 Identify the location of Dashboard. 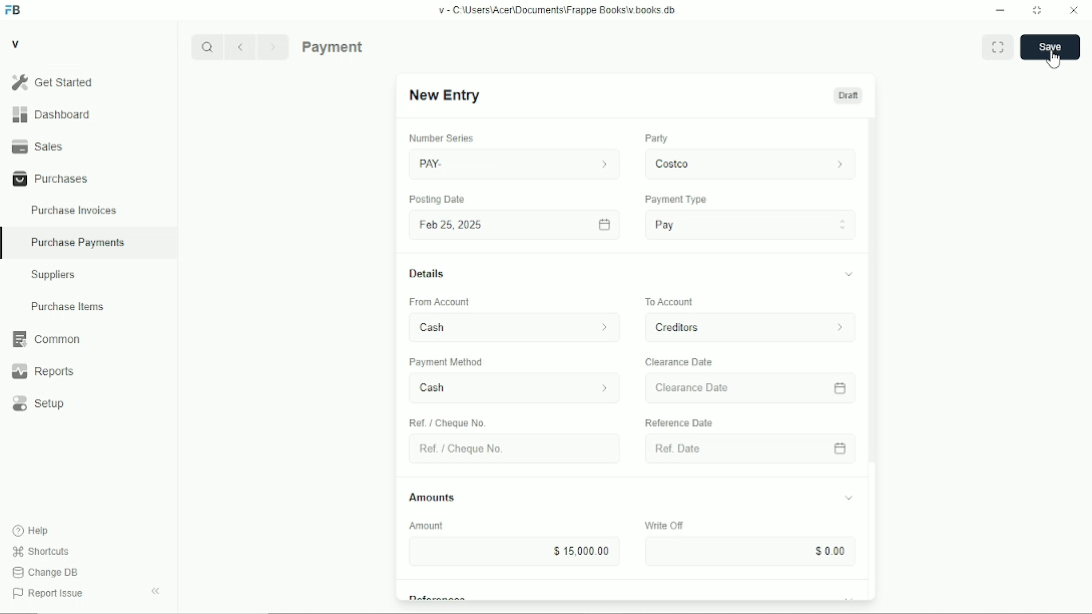
(88, 114).